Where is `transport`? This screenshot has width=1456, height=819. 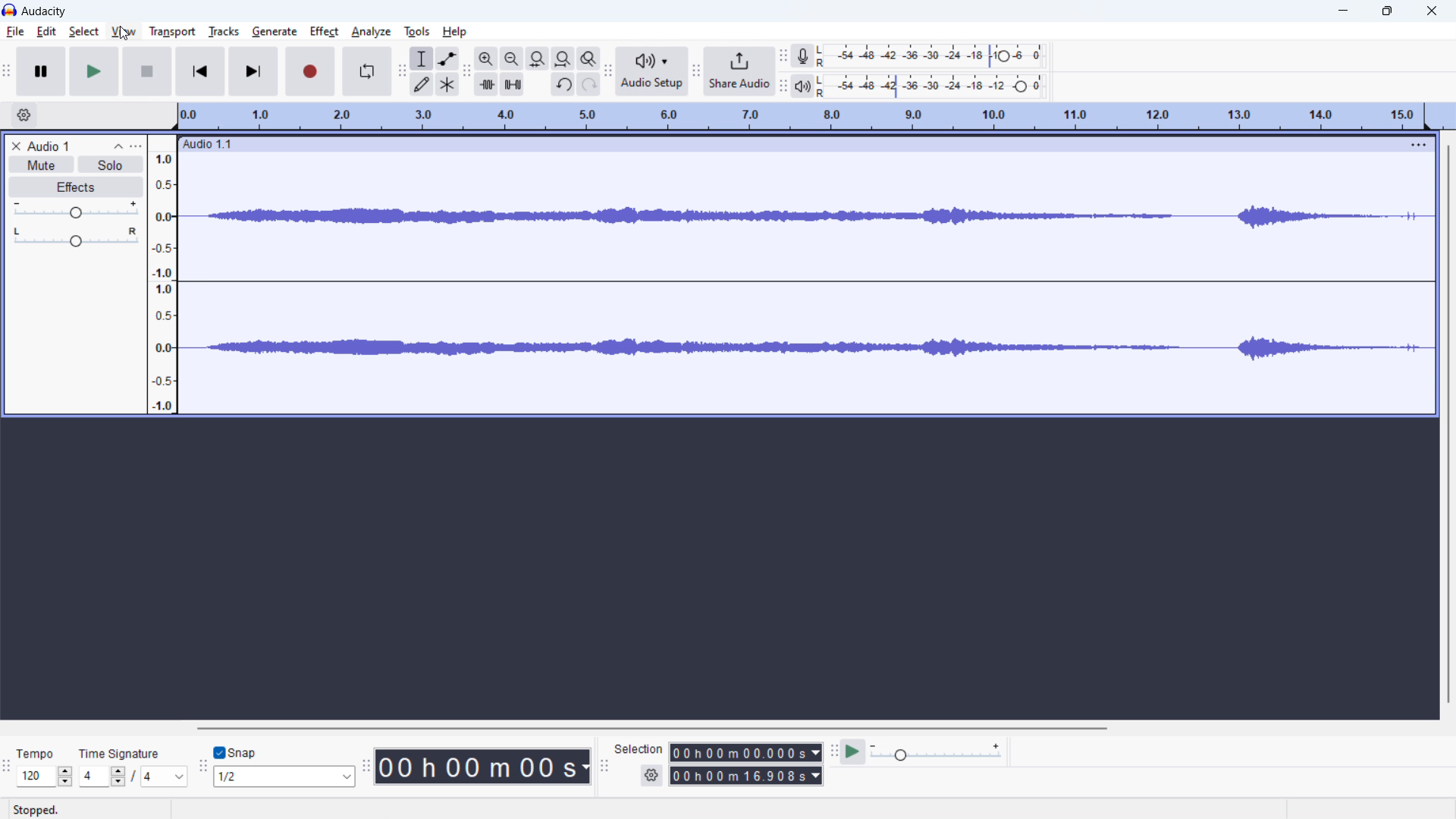 transport is located at coordinates (172, 32).